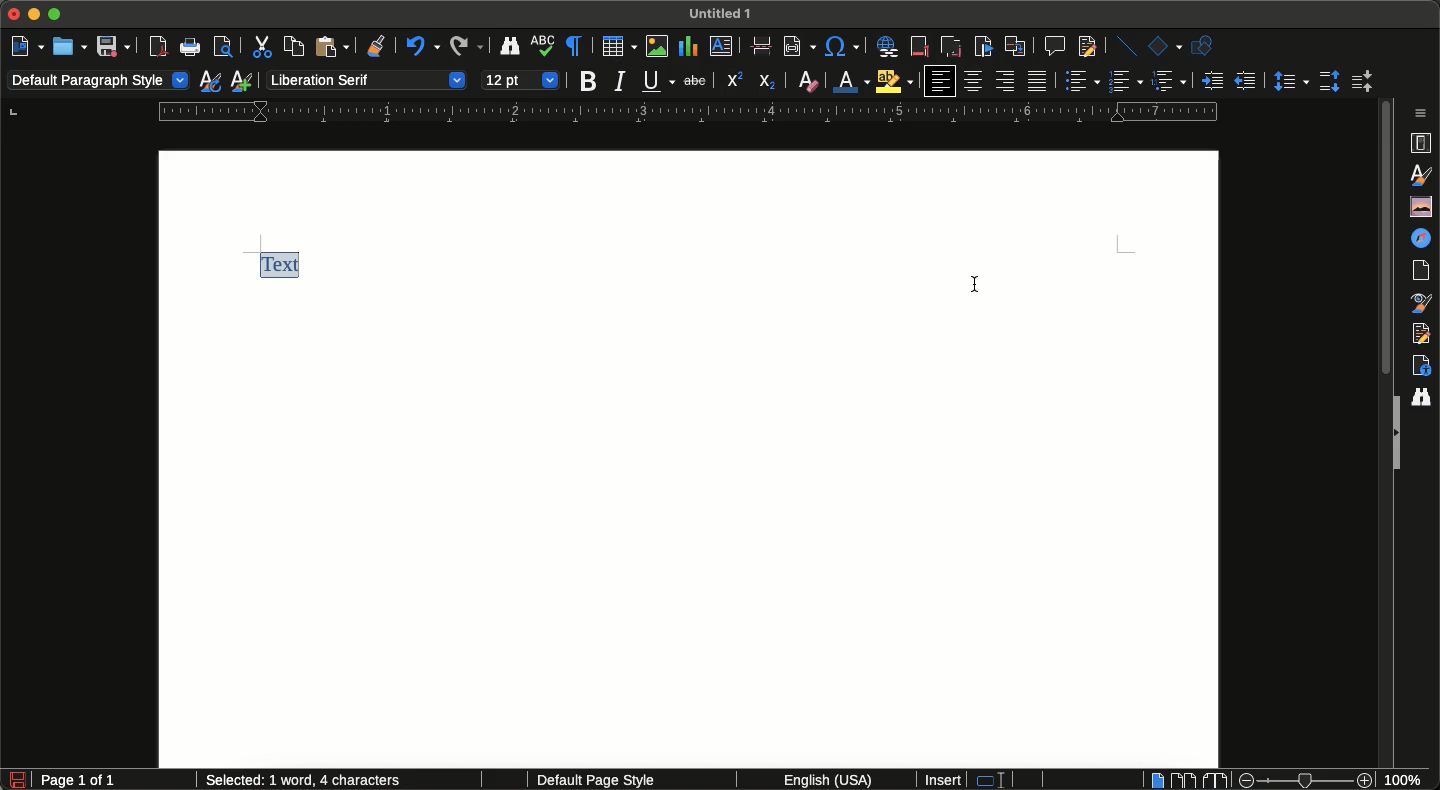 This screenshot has width=1440, height=790. What do you see at coordinates (365, 79) in the screenshot?
I see `Font style` at bounding box center [365, 79].